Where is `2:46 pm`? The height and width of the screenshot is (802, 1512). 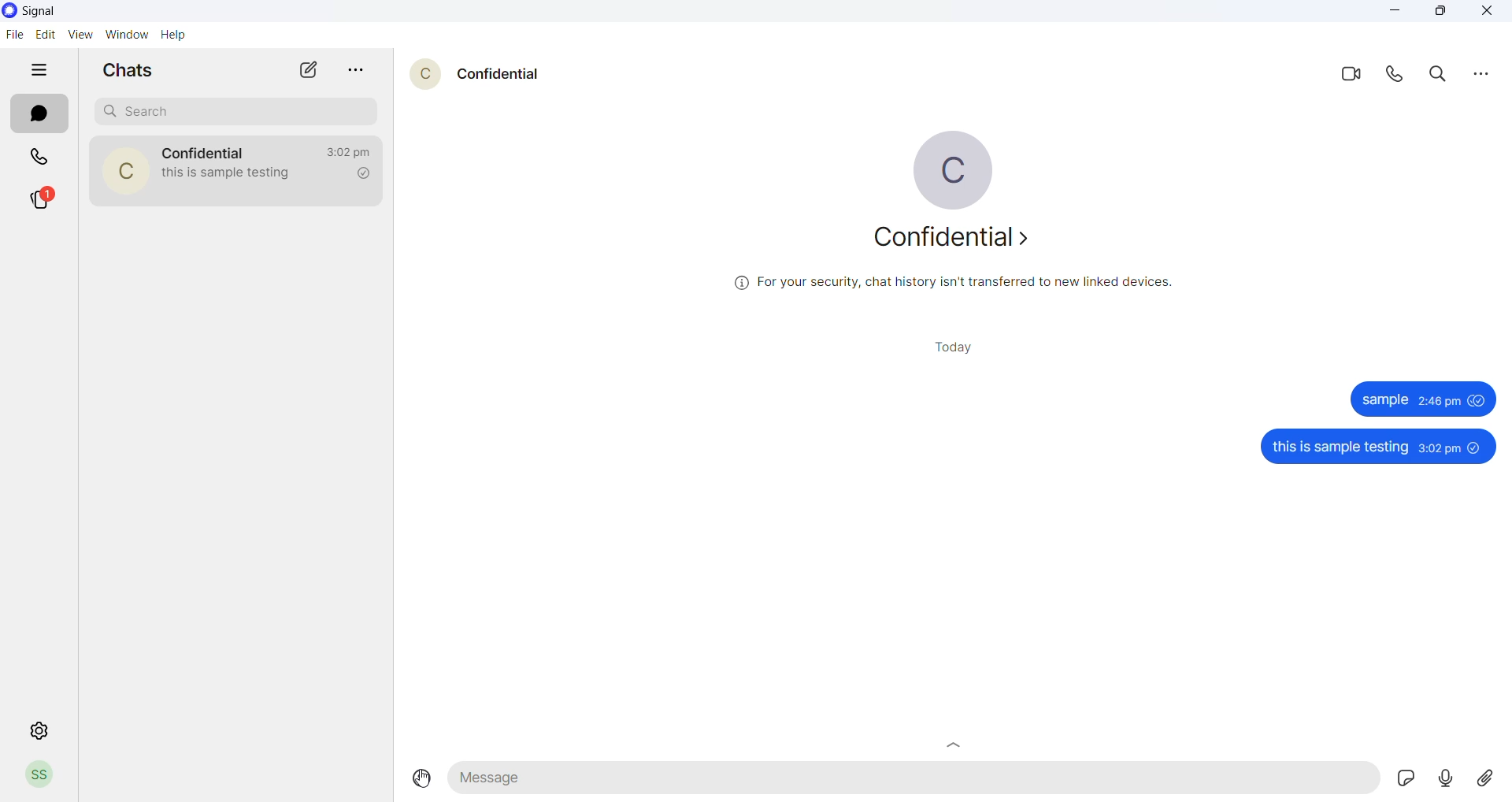
2:46 pm is located at coordinates (1439, 401).